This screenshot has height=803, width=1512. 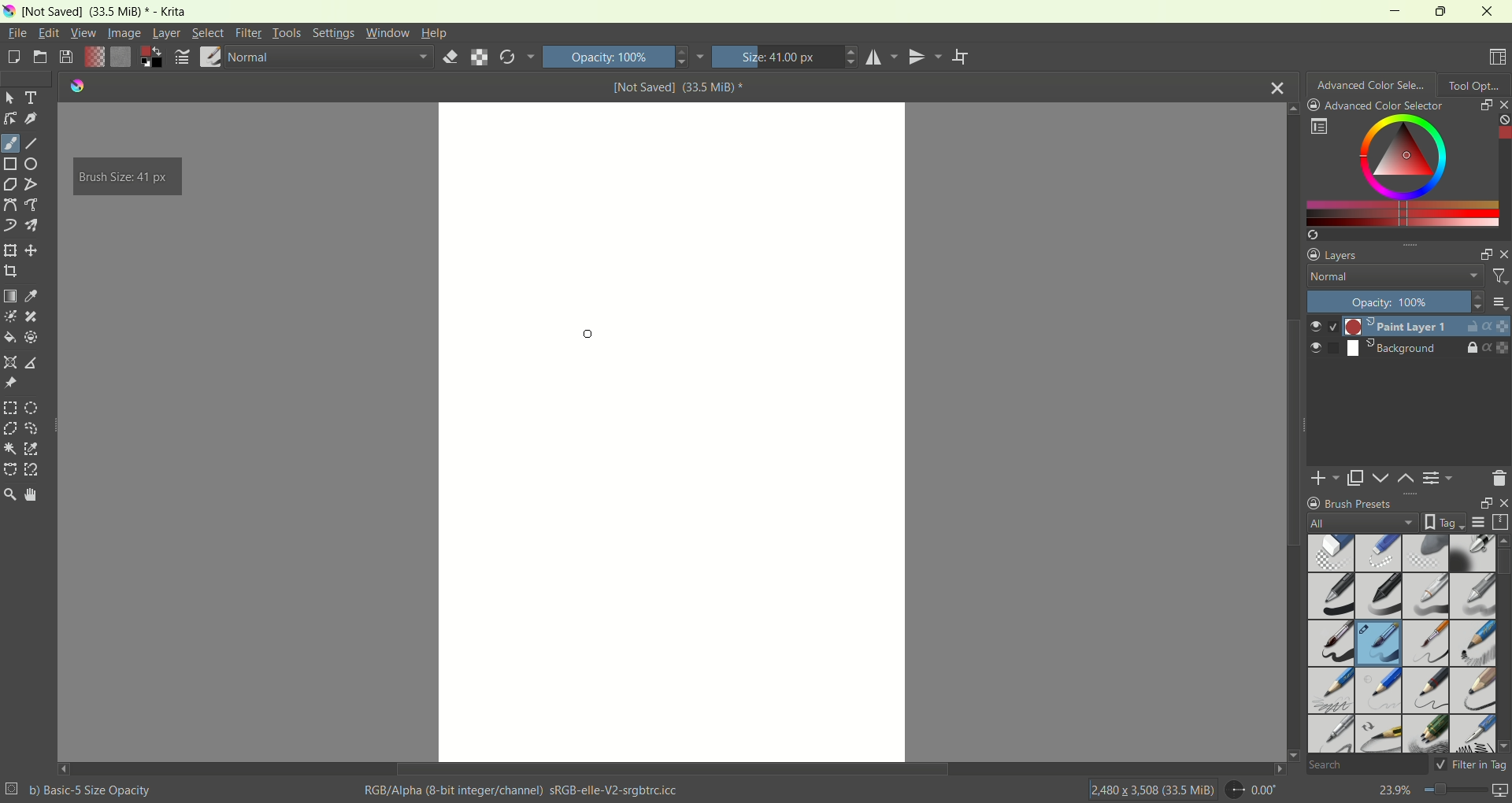 What do you see at coordinates (9, 185) in the screenshot?
I see `polygon` at bounding box center [9, 185].